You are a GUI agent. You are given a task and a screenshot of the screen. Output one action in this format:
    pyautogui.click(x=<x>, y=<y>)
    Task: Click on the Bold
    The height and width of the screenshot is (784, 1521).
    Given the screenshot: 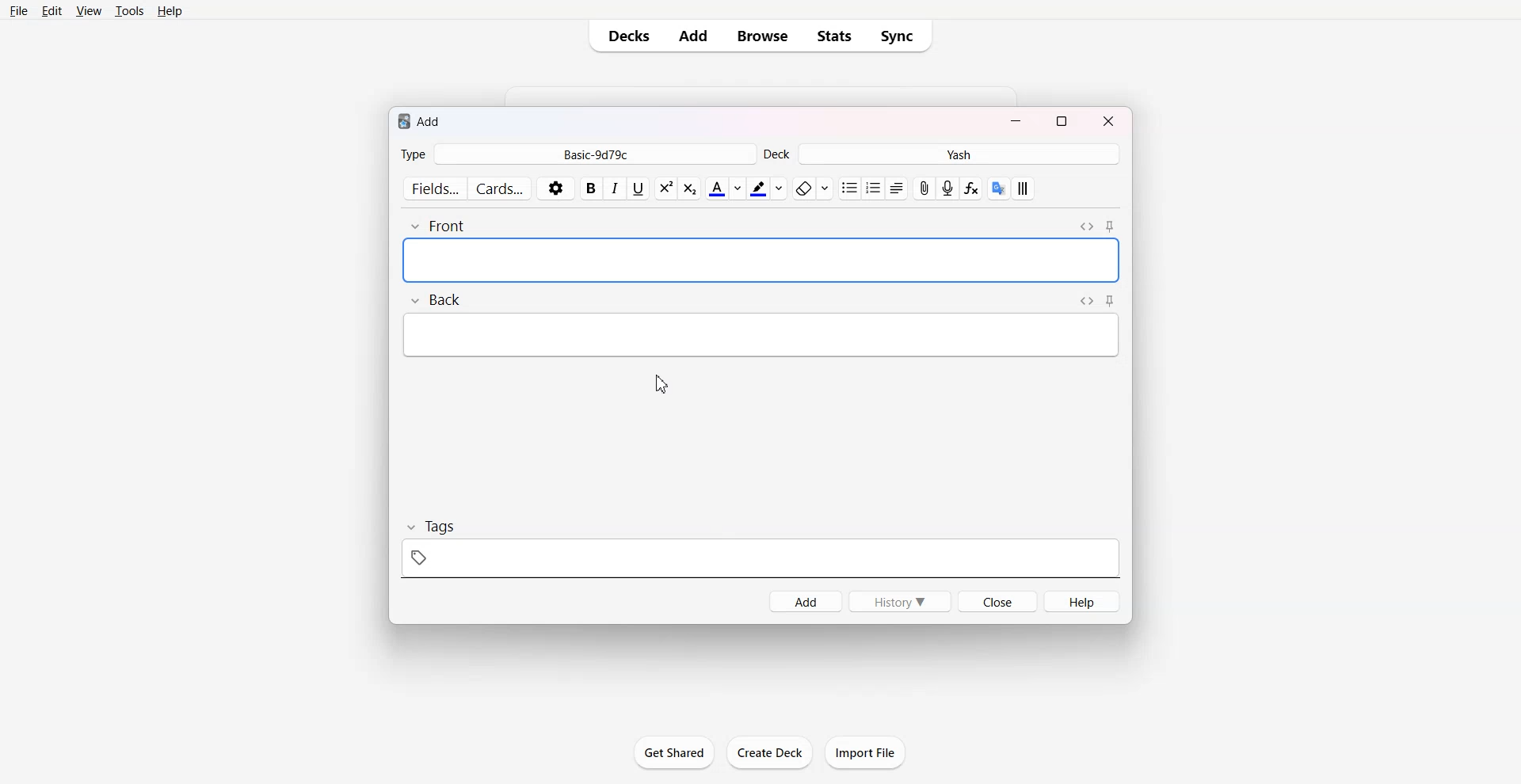 What is the action you would take?
    pyautogui.click(x=591, y=188)
    